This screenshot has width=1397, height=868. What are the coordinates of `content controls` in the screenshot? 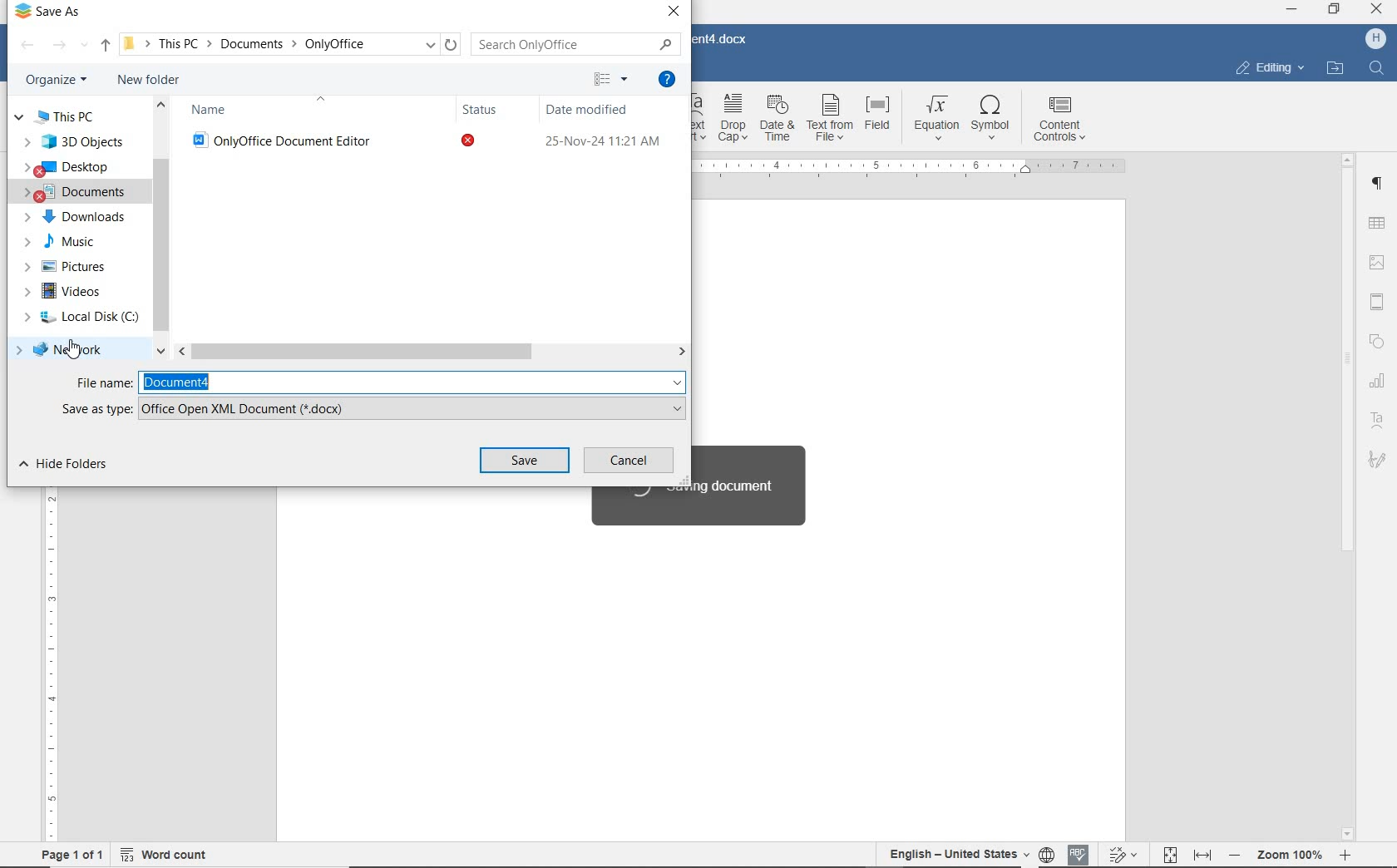 It's located at (1063, 121).